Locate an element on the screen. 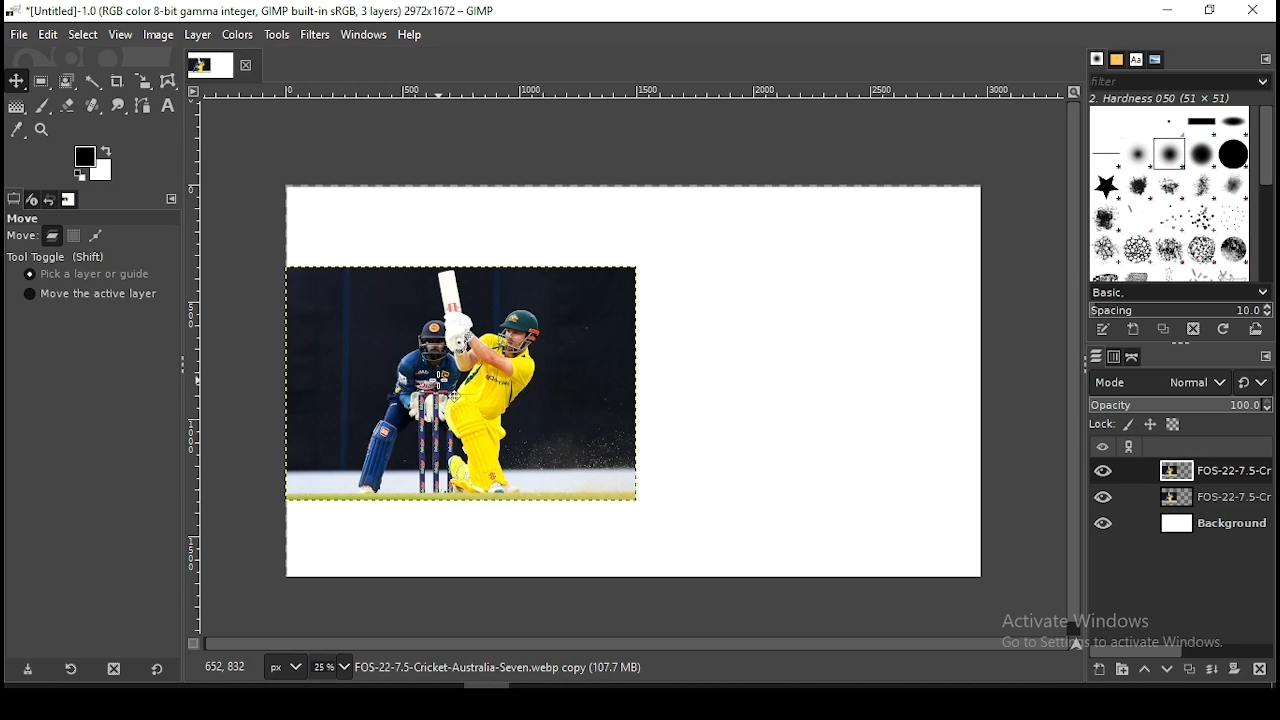  move layer is located at coordinates (52, 236).